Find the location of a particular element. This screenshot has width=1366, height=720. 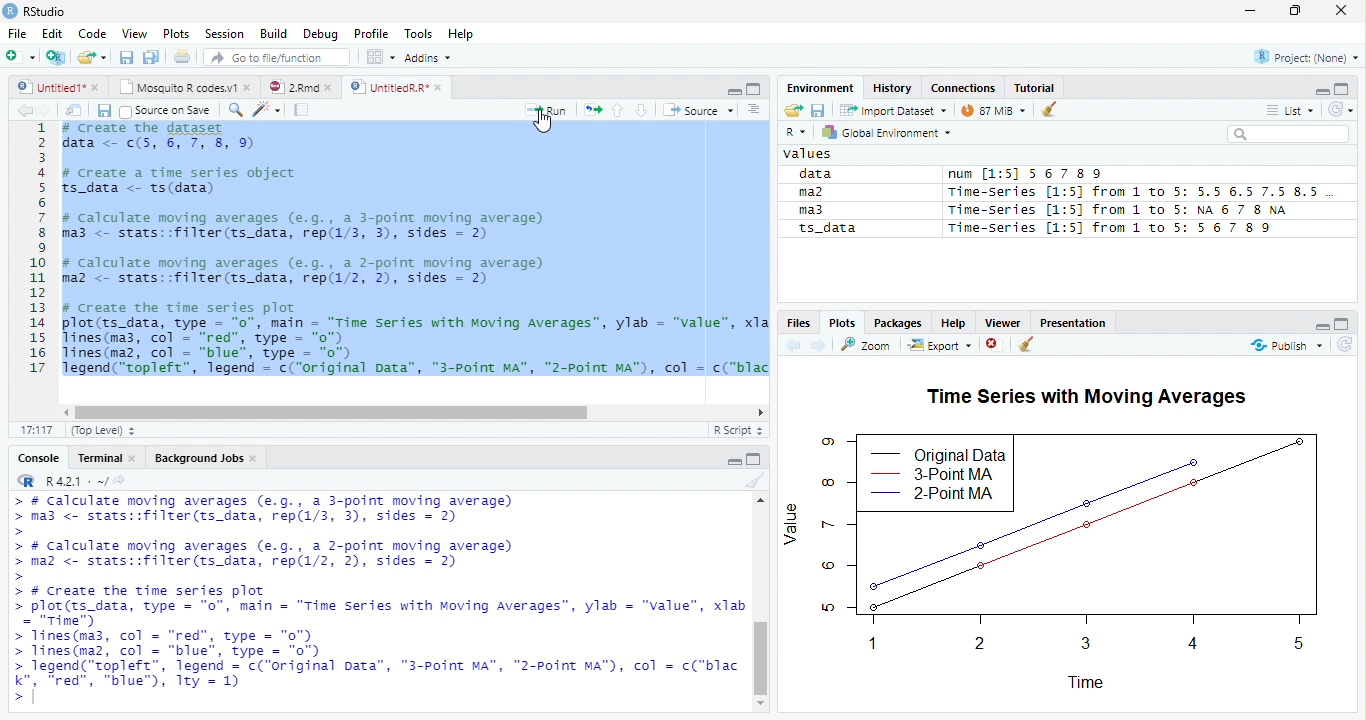

untitled 1 is located at coordinates (46, 86).